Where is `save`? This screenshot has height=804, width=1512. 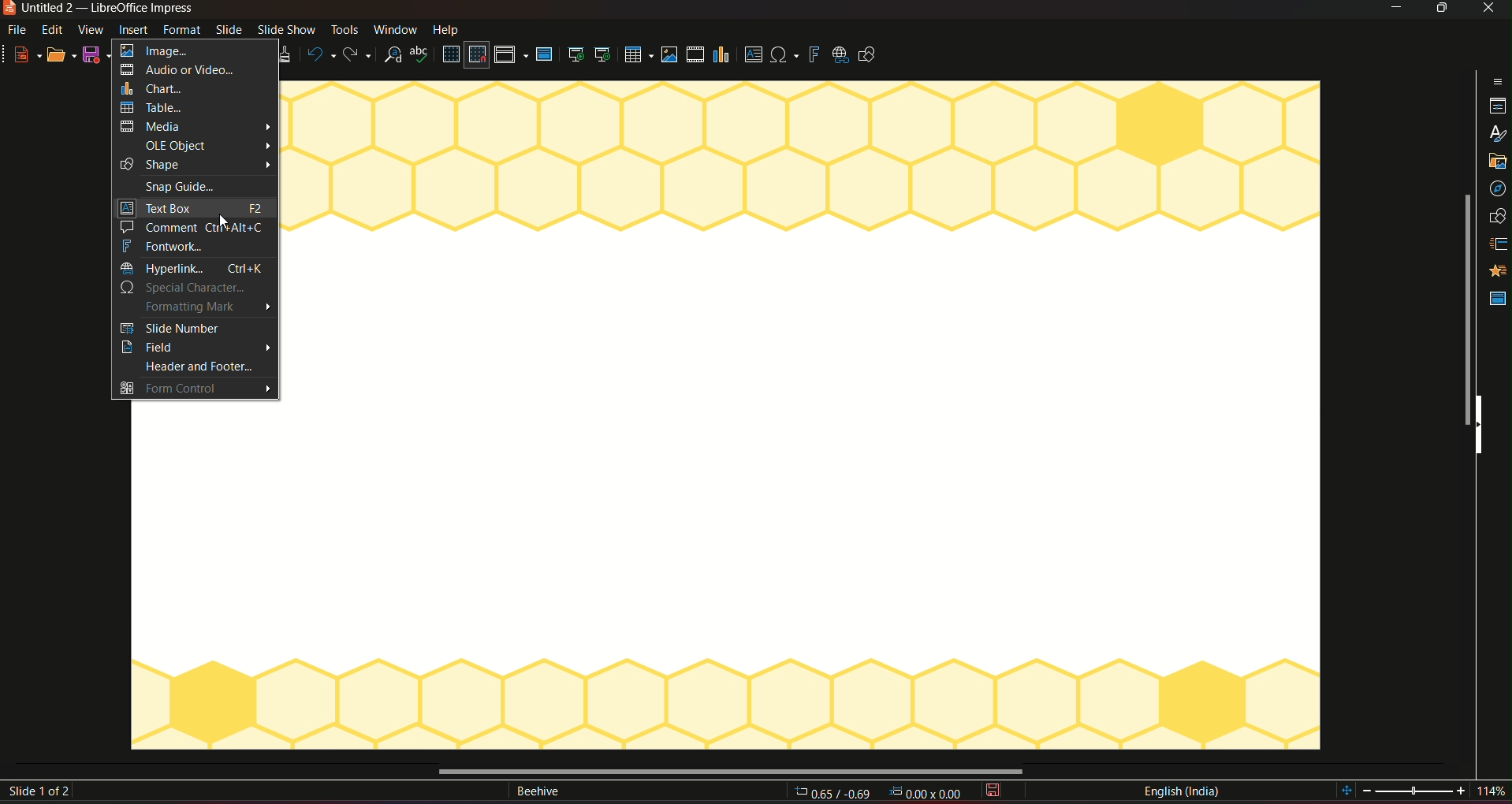 save is located at coordinates (996, 791).